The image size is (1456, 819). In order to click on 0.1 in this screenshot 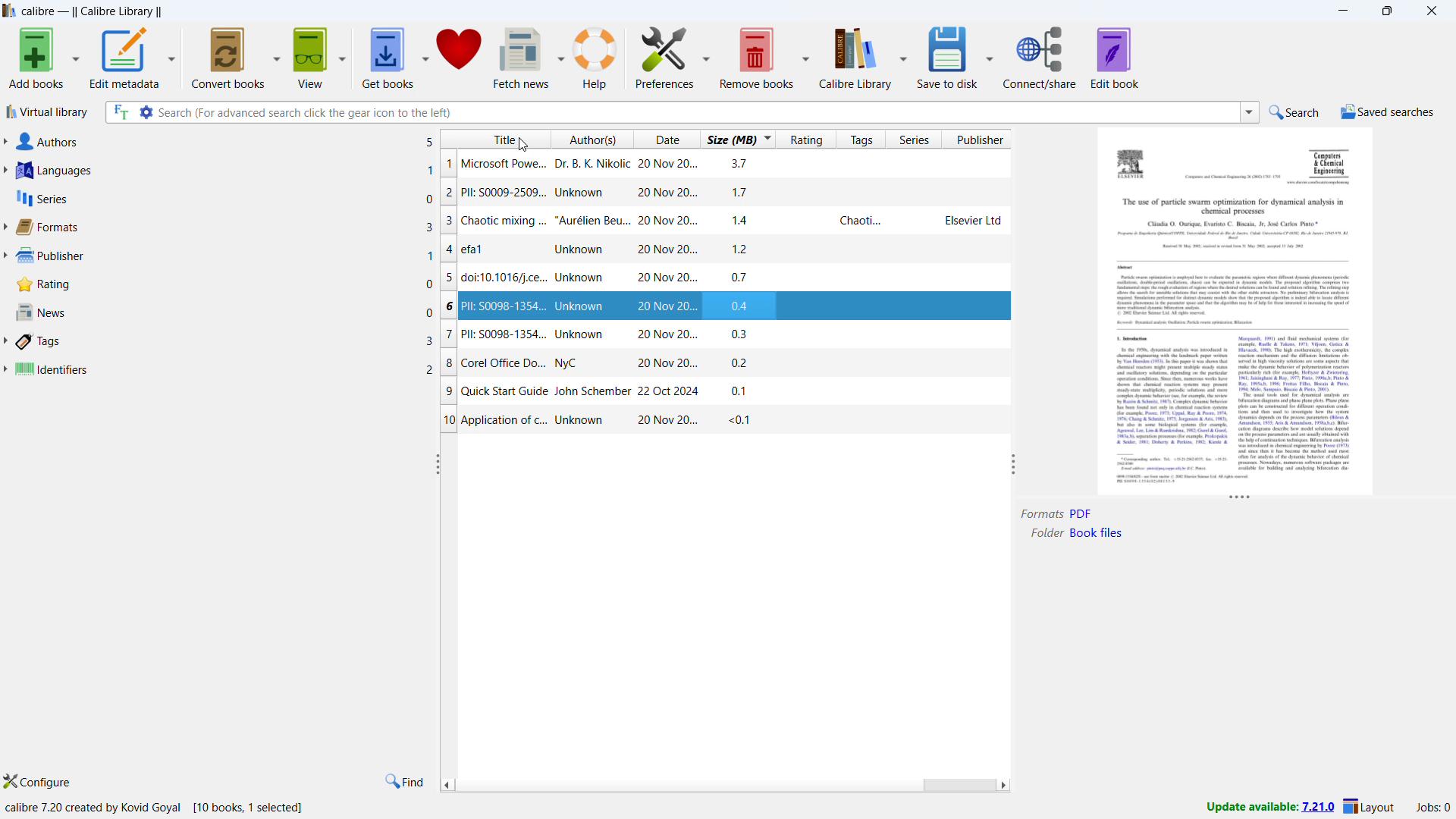, I will do `click(743, 390)`.